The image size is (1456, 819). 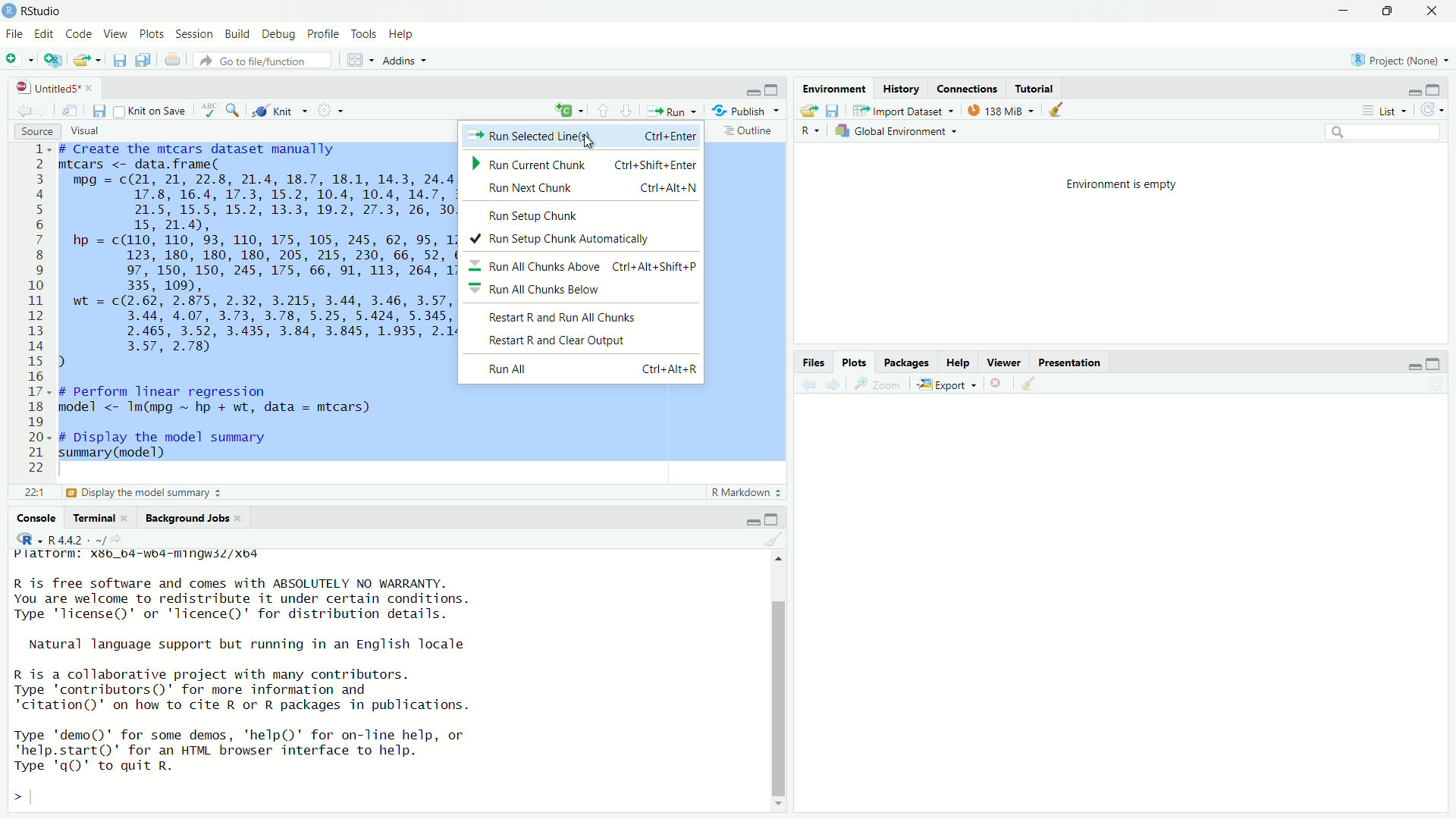 I want to click on import dataset, so click(x=897, y=111).